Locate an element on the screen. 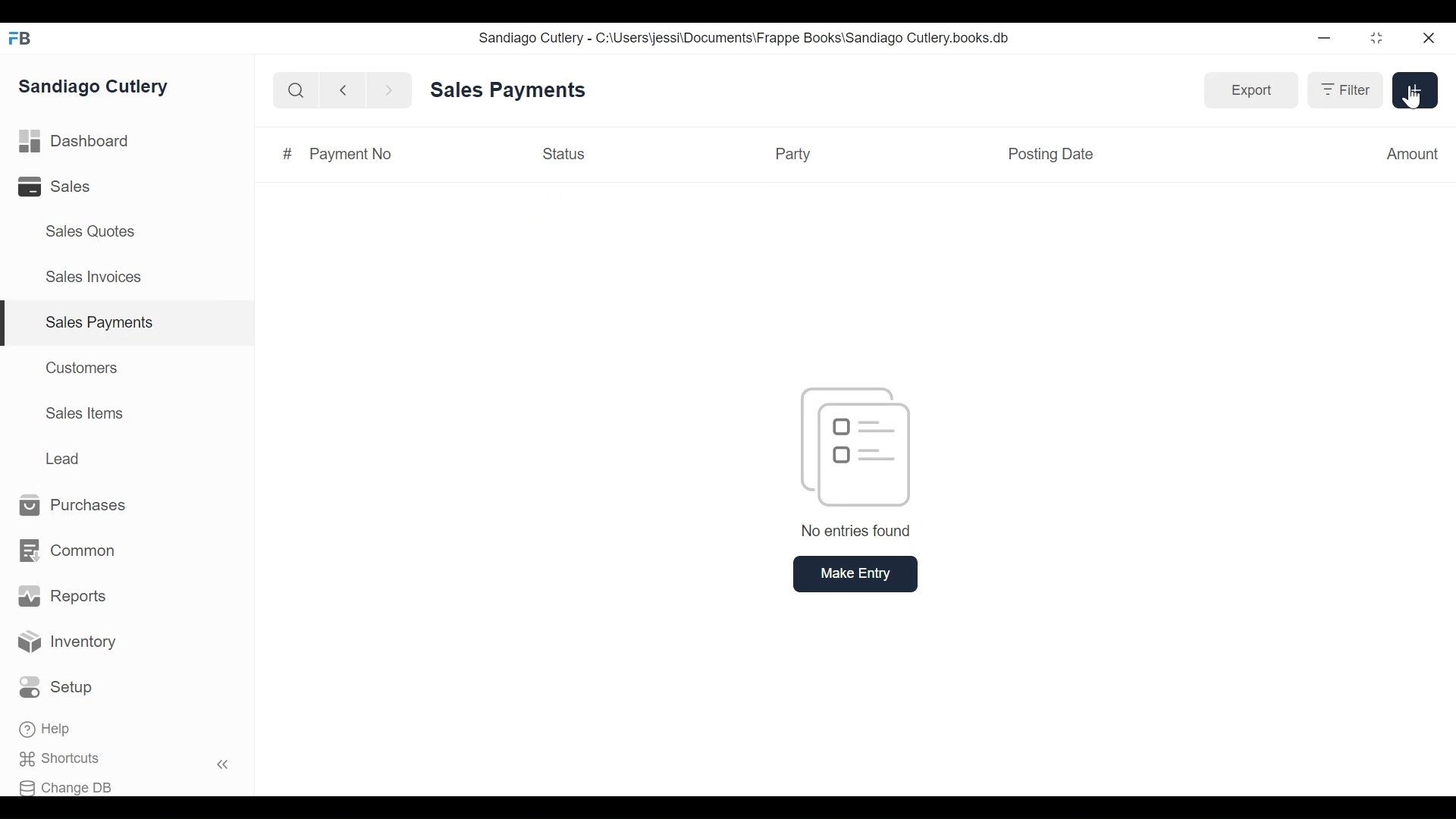 This screenshot has height=819, width=1456. Posting Date is located at coordinates (1050, 155).